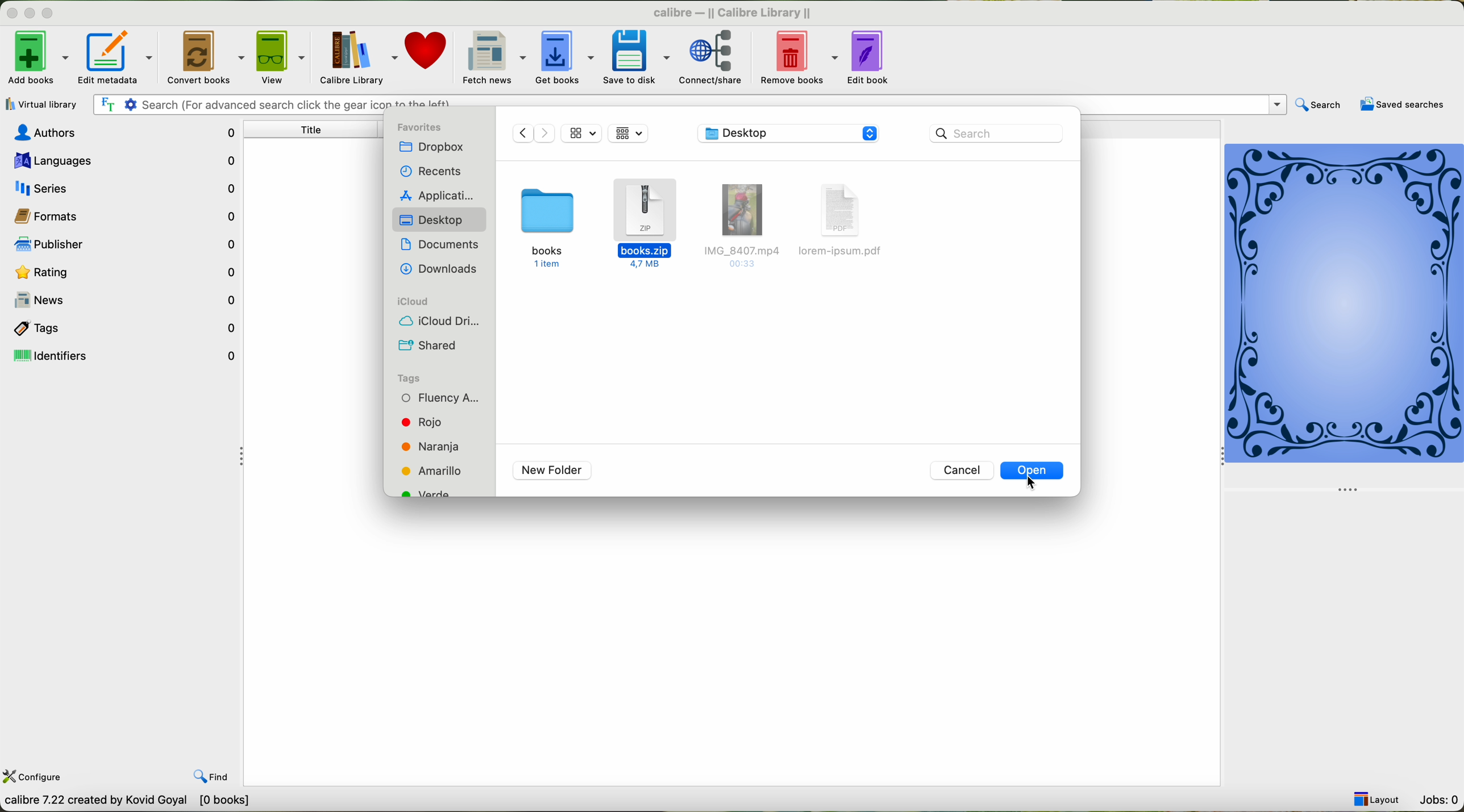 The width and height of the screenshot is (1464, 812). Describe the element at coordinates (432, 222) in the screenshot. I see `desktop` at that location.